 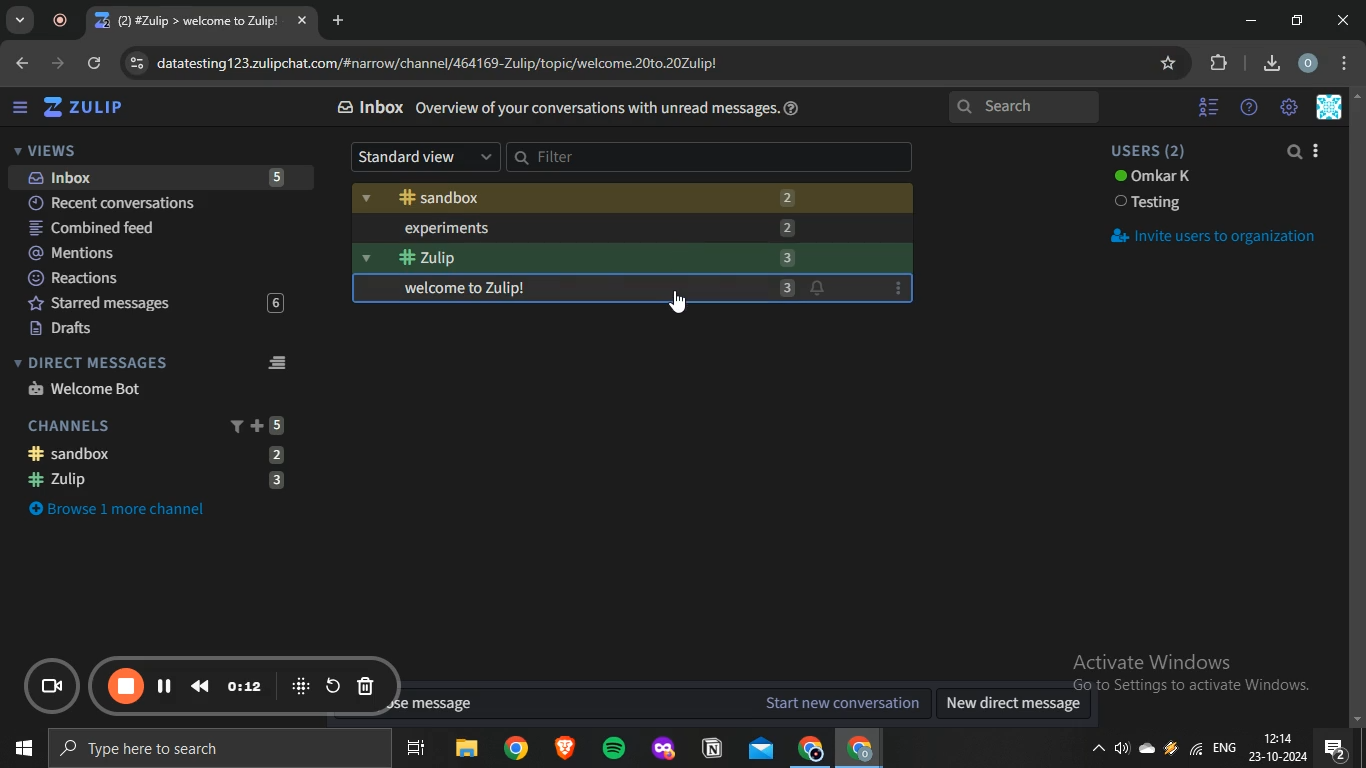 I want to click on file explorer, so click(x=468, y=750).